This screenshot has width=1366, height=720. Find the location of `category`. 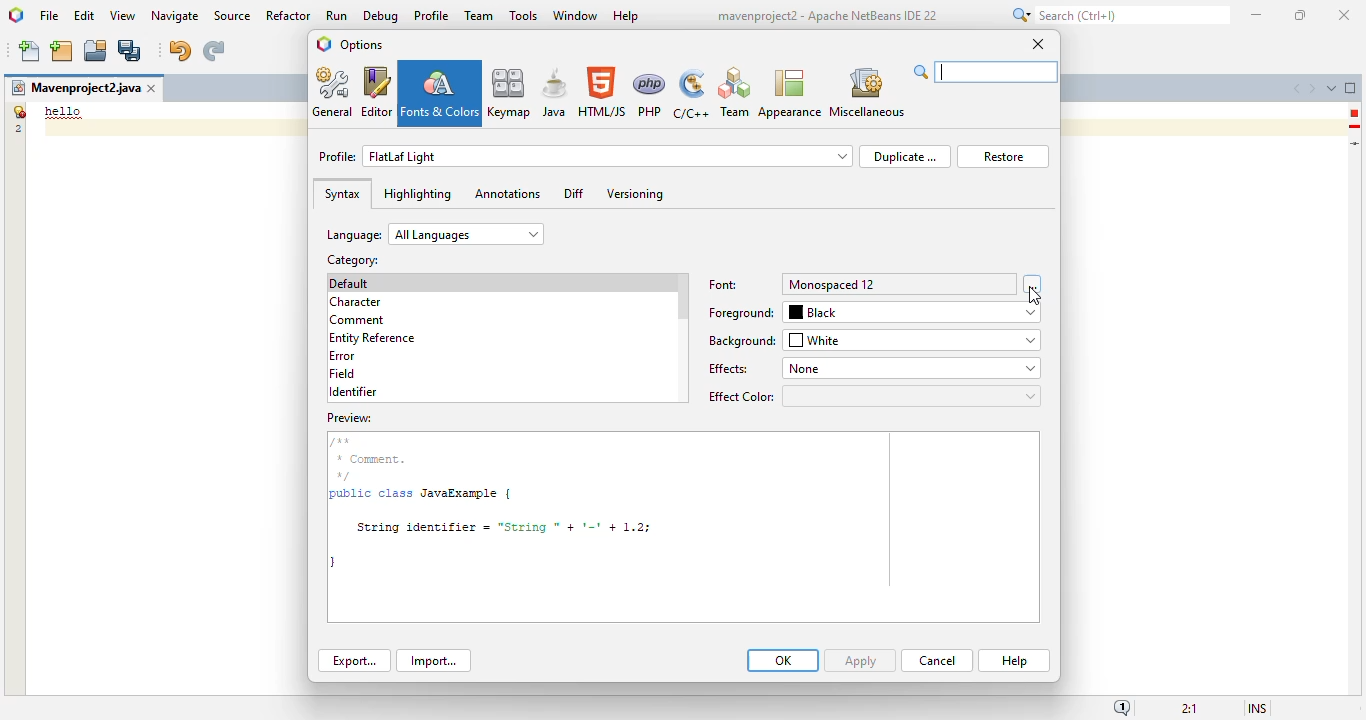

category is located at coordinates (351, 260).